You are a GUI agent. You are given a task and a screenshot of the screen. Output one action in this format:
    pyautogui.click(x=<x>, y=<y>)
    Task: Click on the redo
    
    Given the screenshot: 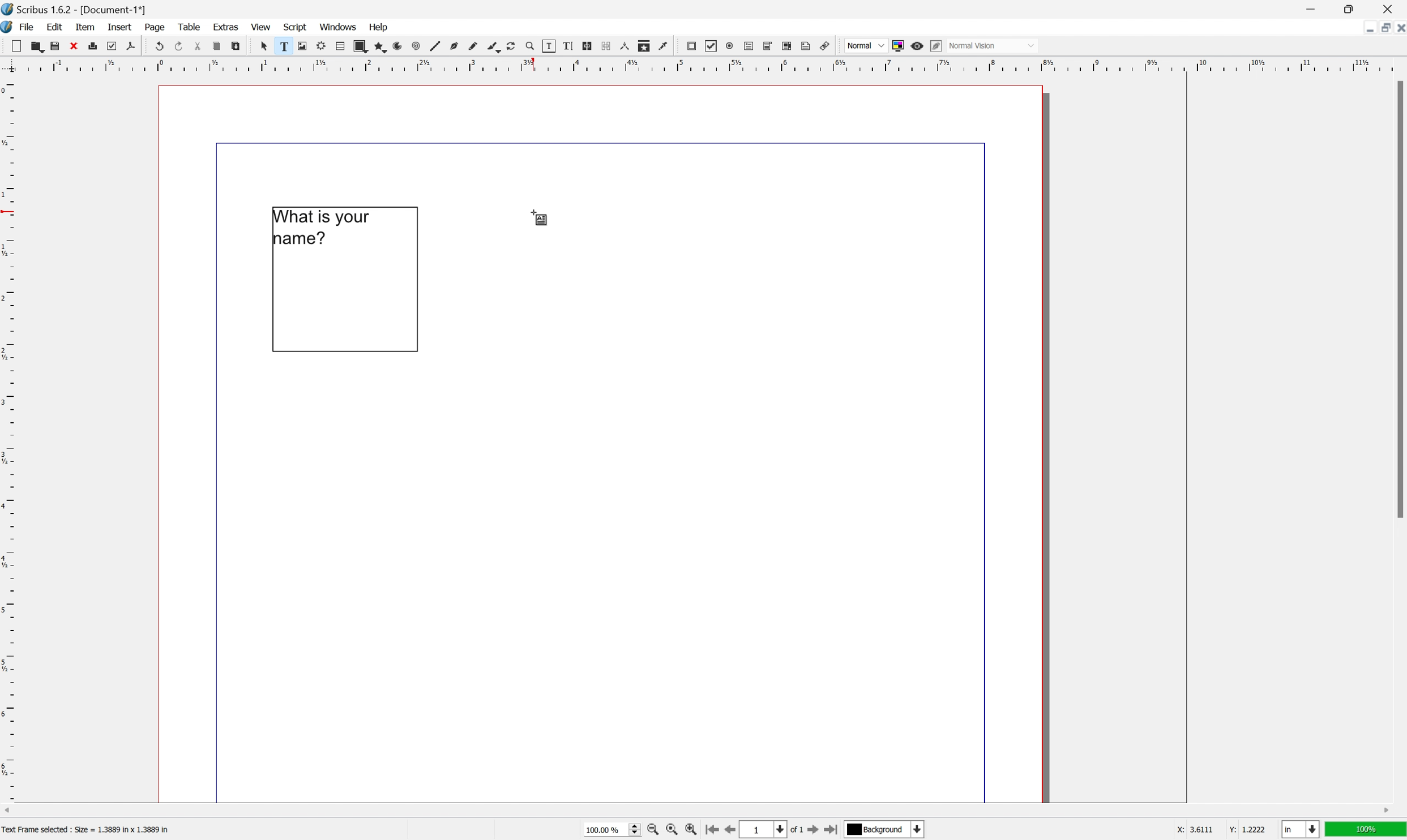 What is the action you would take?
    pyautogui.click(x=179, y=45)
    